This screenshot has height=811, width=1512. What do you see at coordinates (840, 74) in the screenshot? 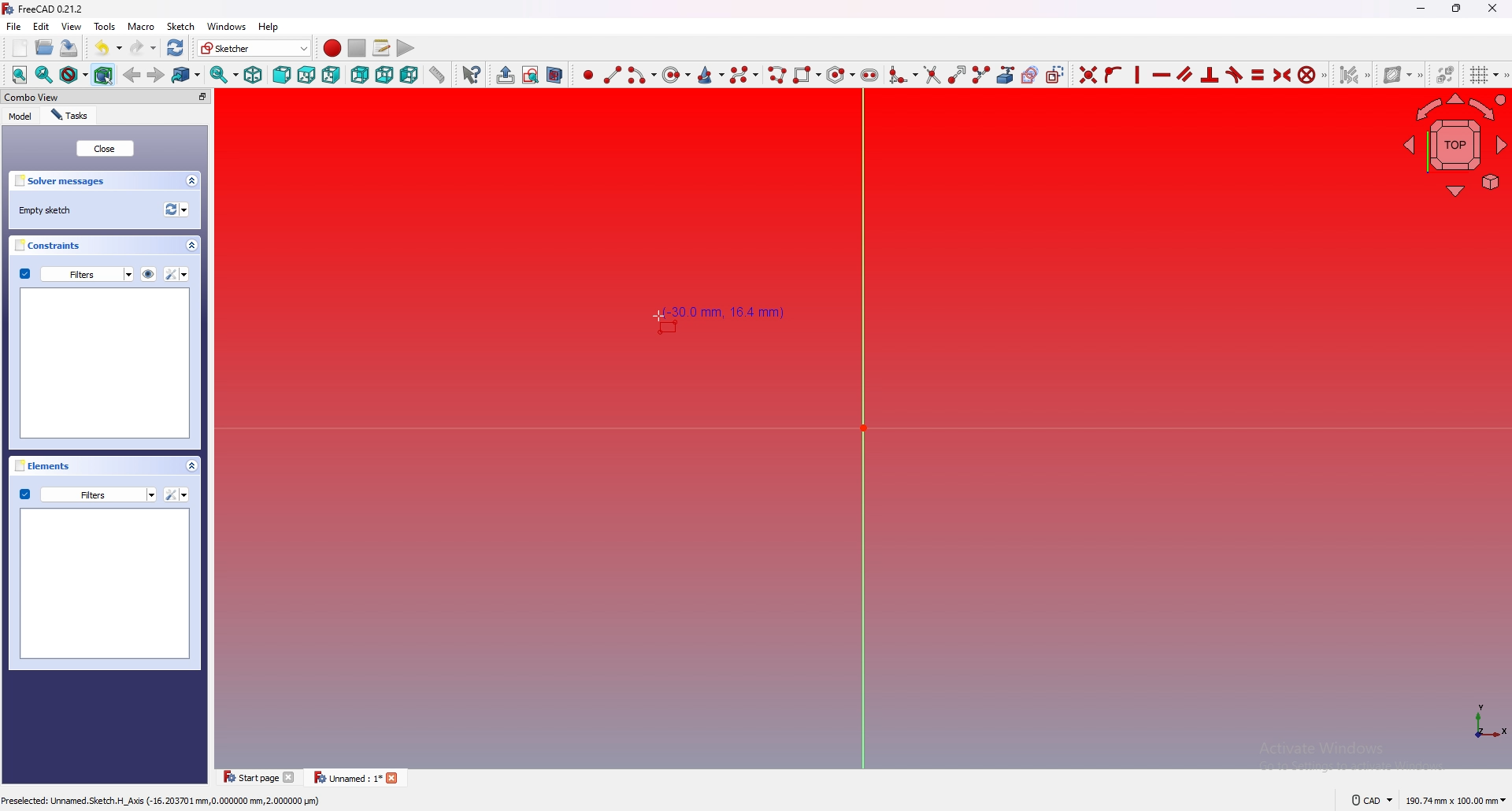
I see `create regular polygon` at bounding box center [840, 74].